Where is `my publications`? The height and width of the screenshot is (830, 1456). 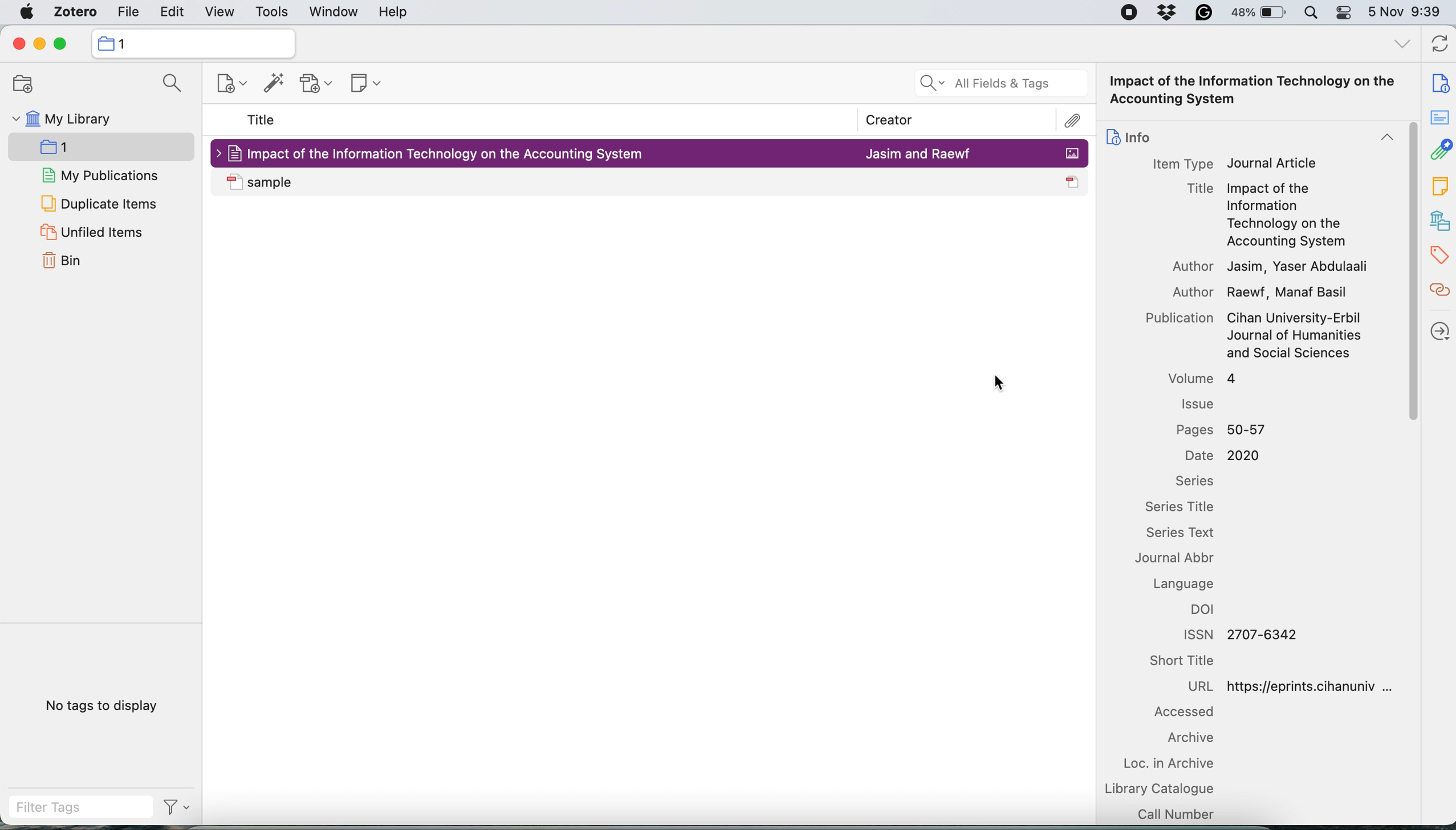
my publications is located at coordinates (104, 176).